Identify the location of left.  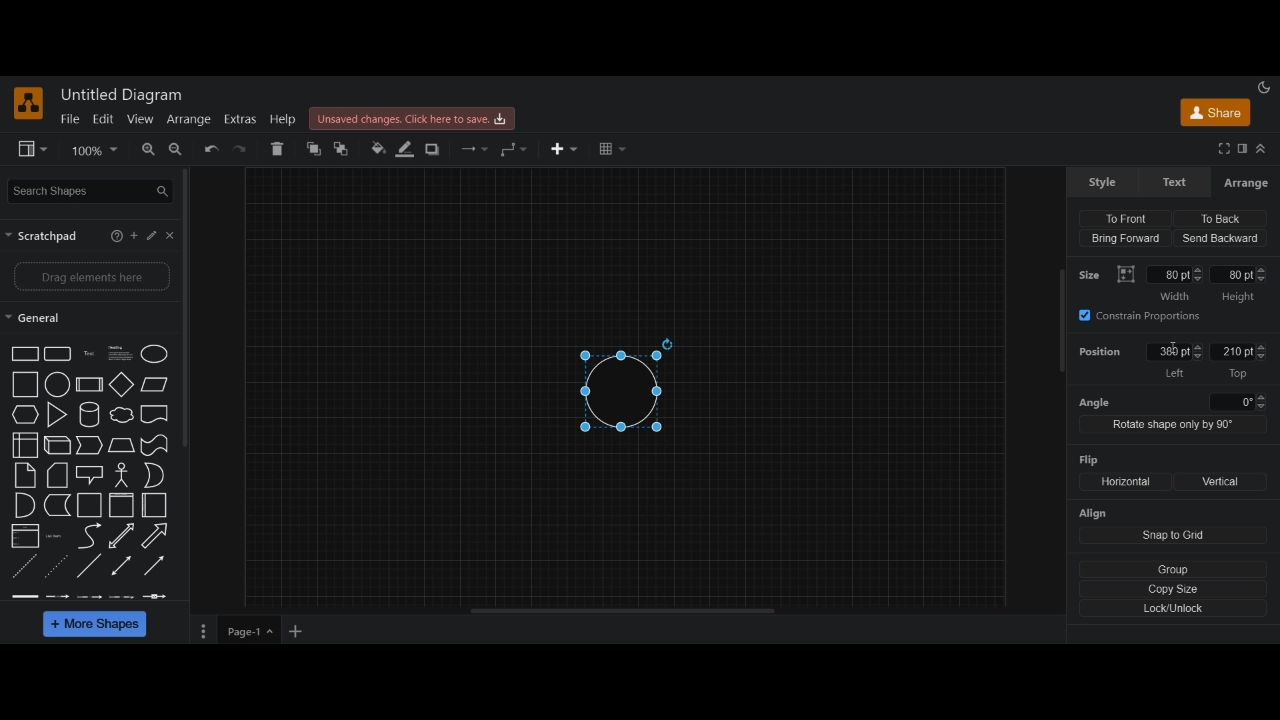
(1172, 361).